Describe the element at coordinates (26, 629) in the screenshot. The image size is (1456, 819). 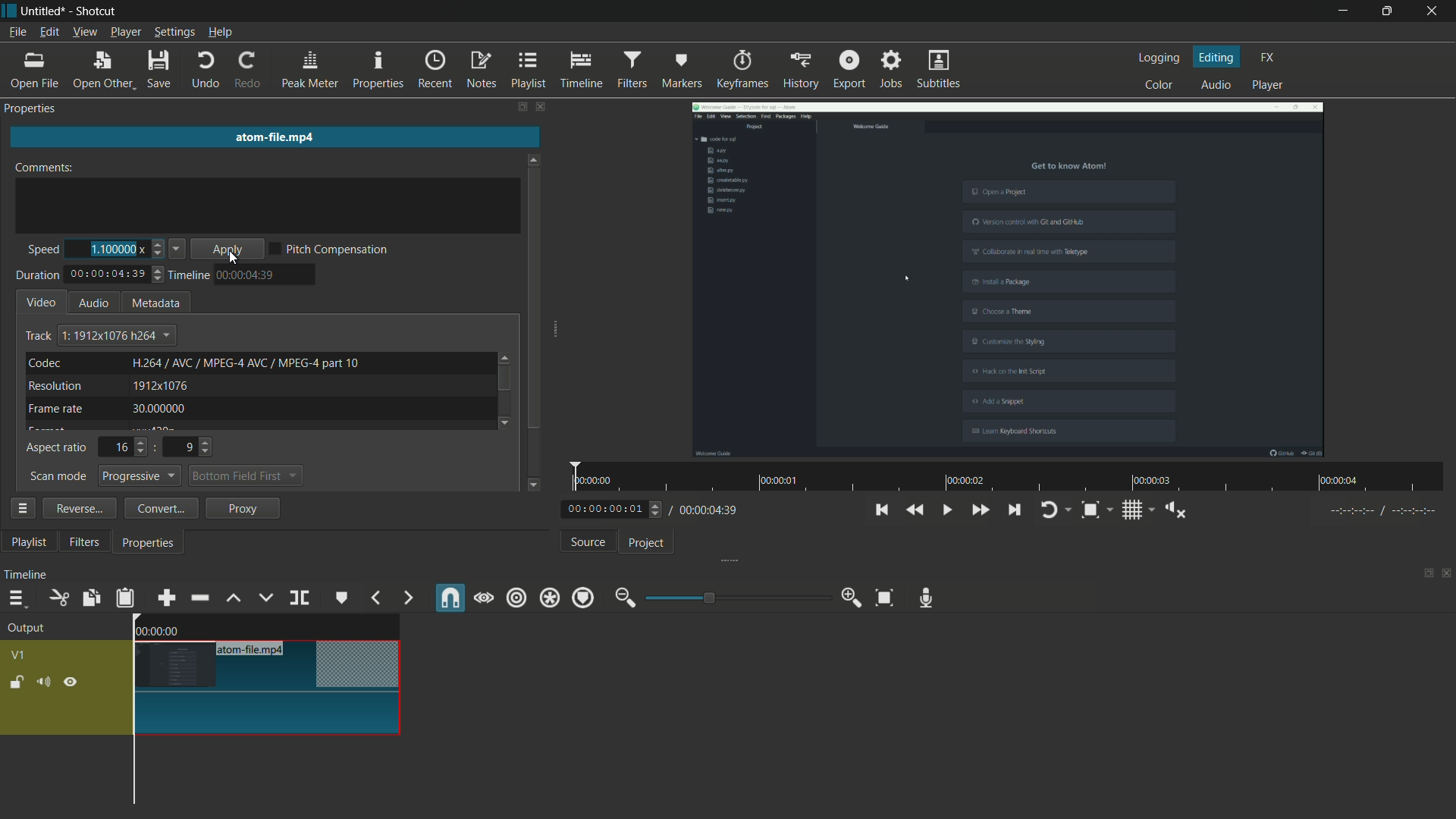
I see `output` at that location.